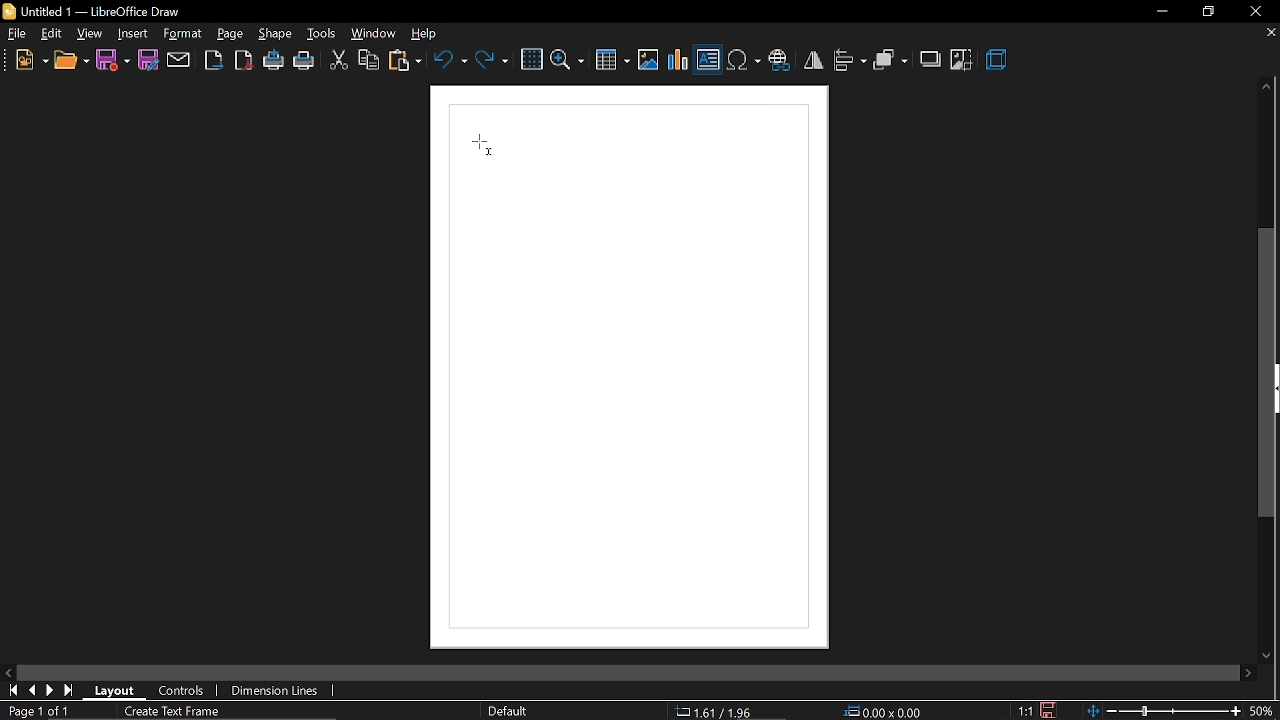  What do you see at coordinates (53, 35) in the screenshot?
I see `edit` at bounding box center [53, 35].